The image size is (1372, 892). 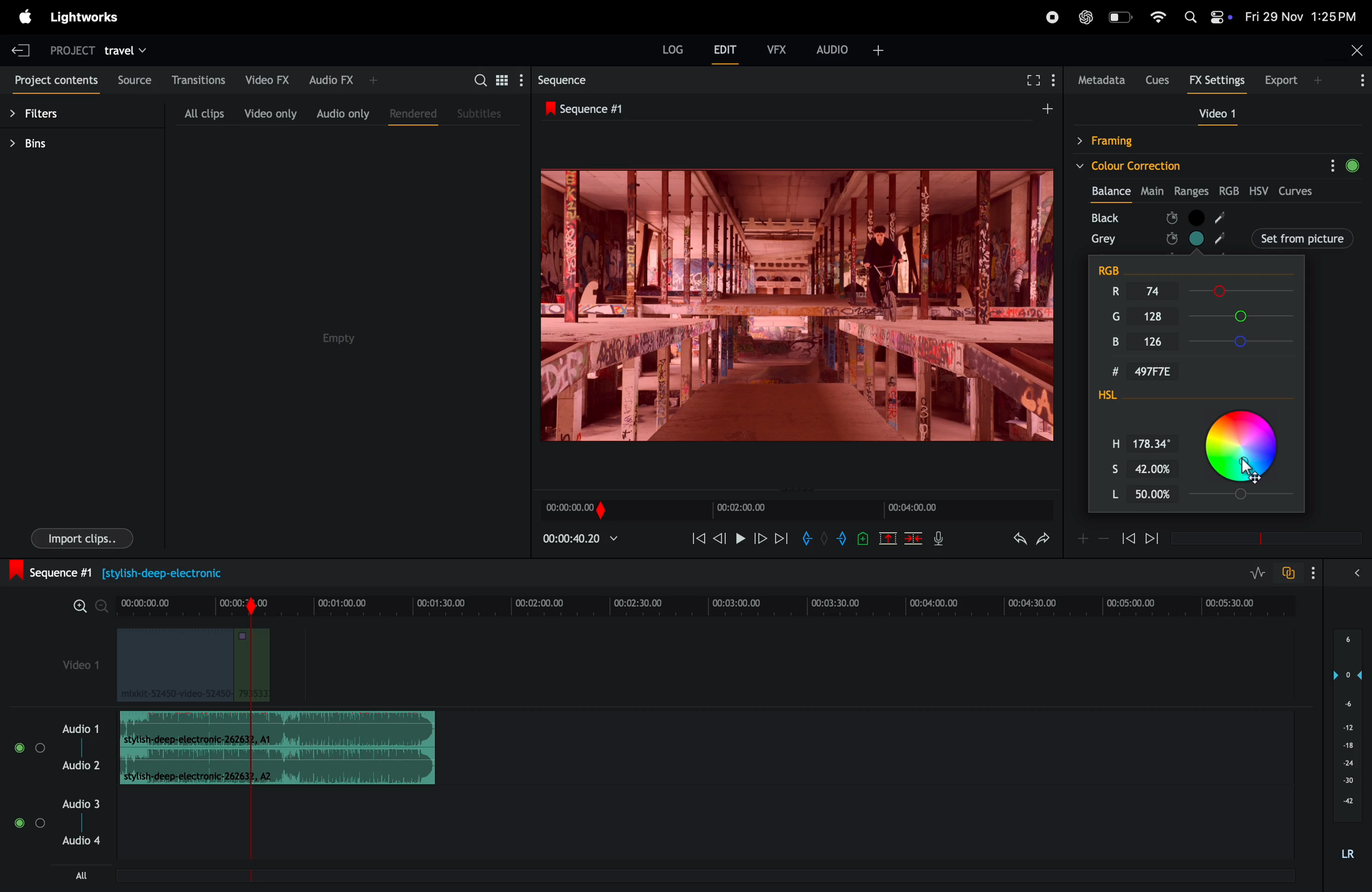 What do you see at coordinates (1121, 267) in the screenshot?
I see `RGB` at bounding box center [1121, 267].